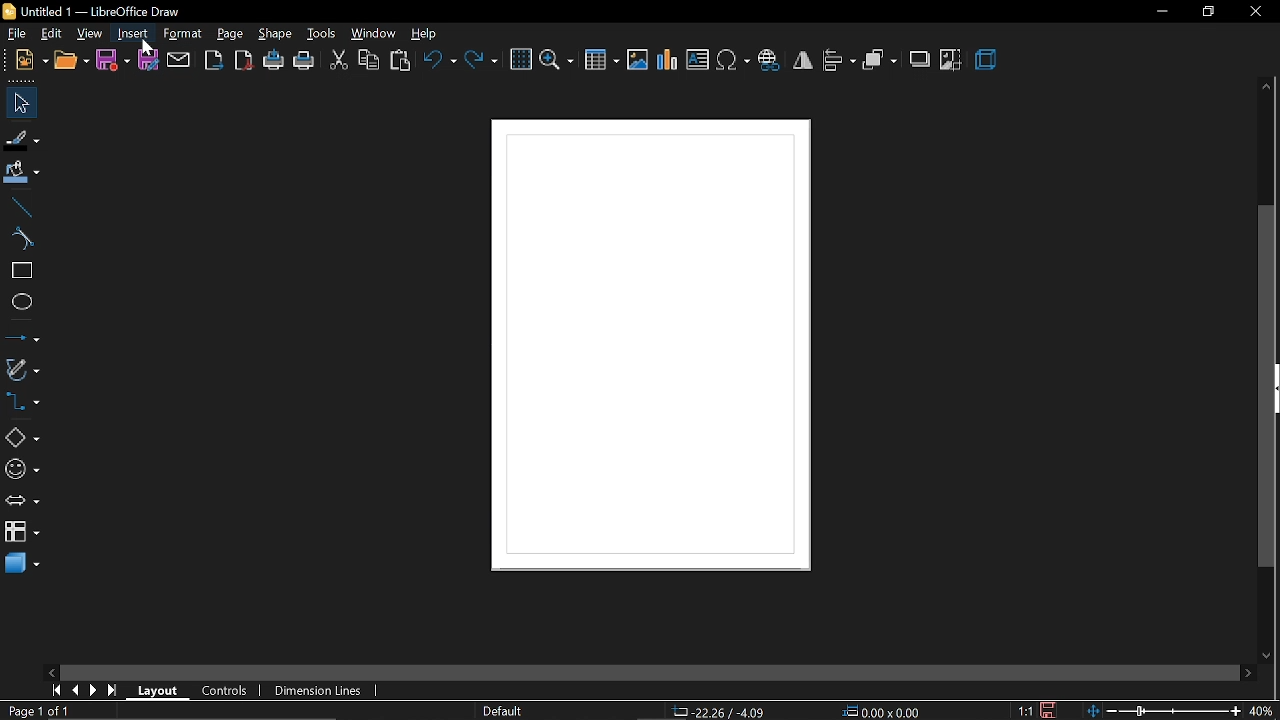  I want to click on arrows, so click(22, 501).